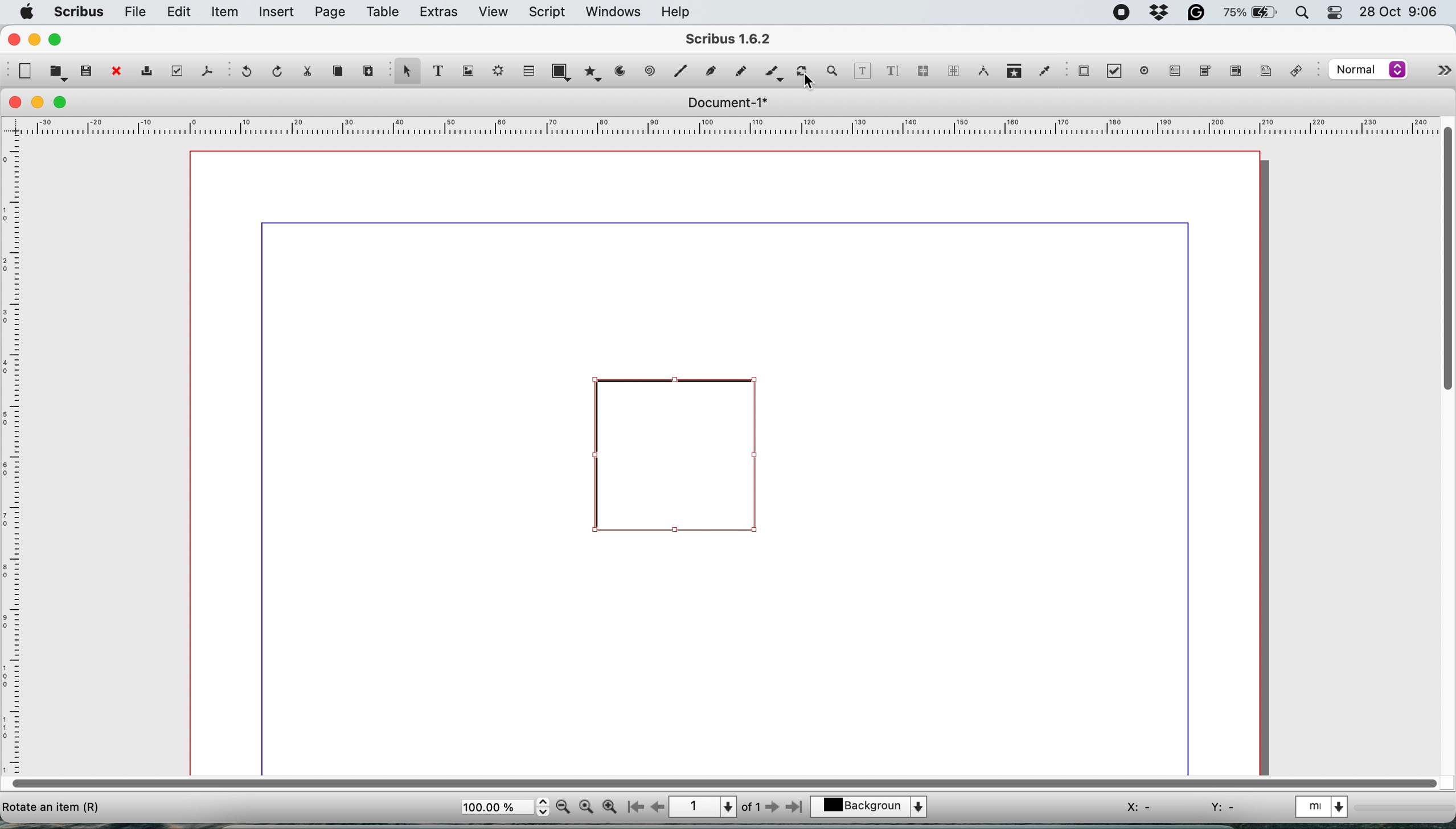  What do you see at coordinates (504, 807) in the screenshot?
I see `zoom scale` at bounding box center [504, 807].